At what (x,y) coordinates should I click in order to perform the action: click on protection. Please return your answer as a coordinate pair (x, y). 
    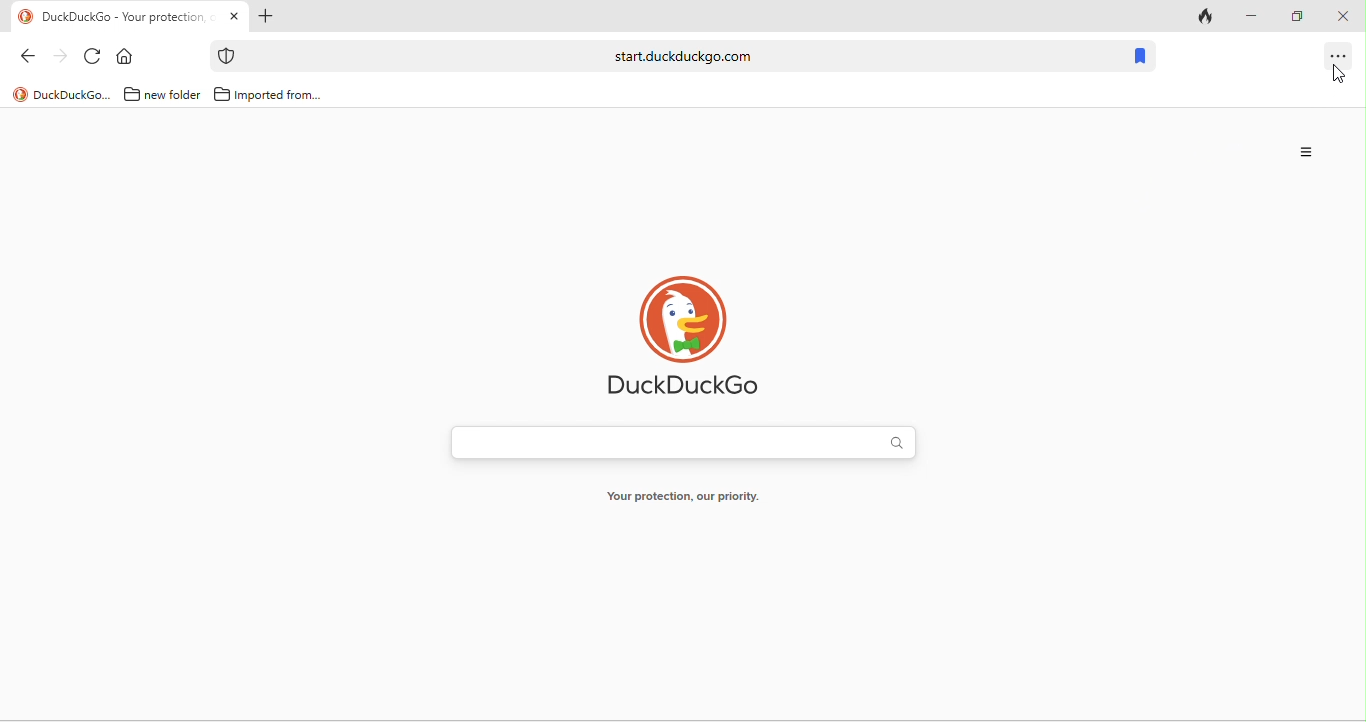
    Looking at the image, I should click on (225, 56).